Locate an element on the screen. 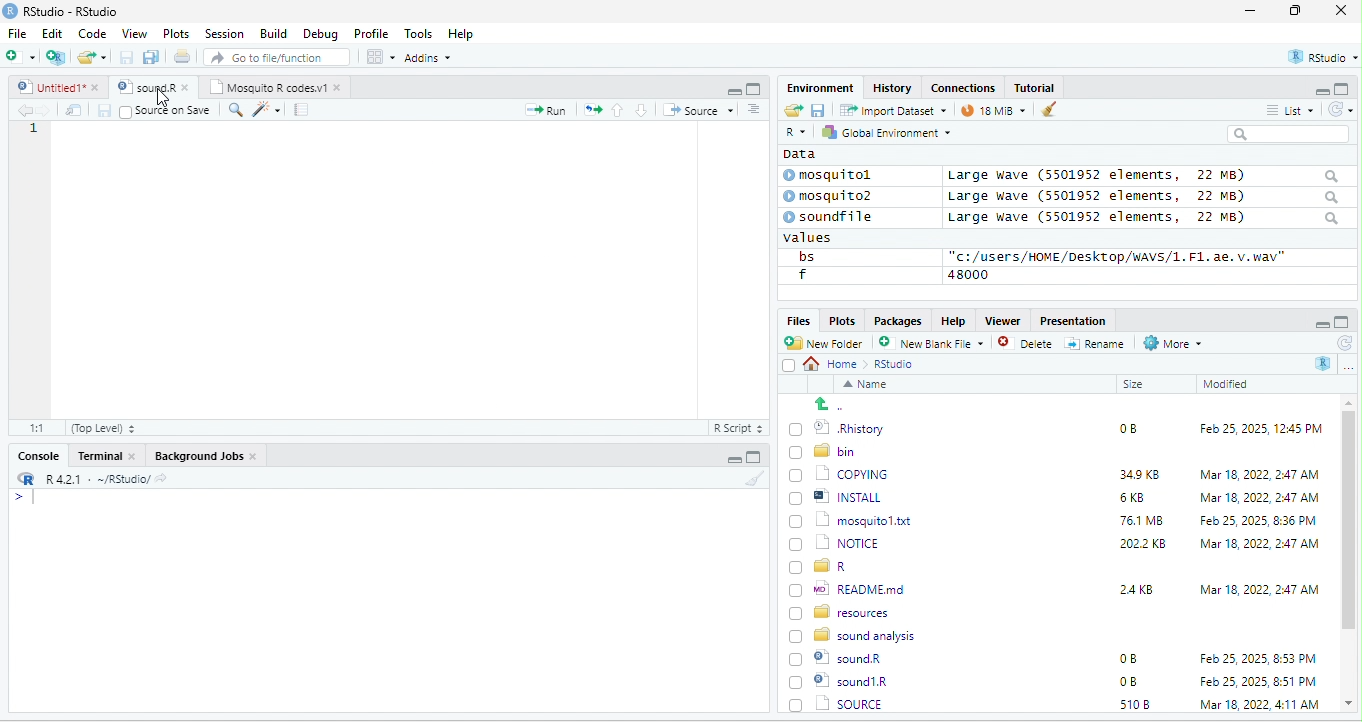 The image size is (1362, 722). back is located at coordinates (28, 111).